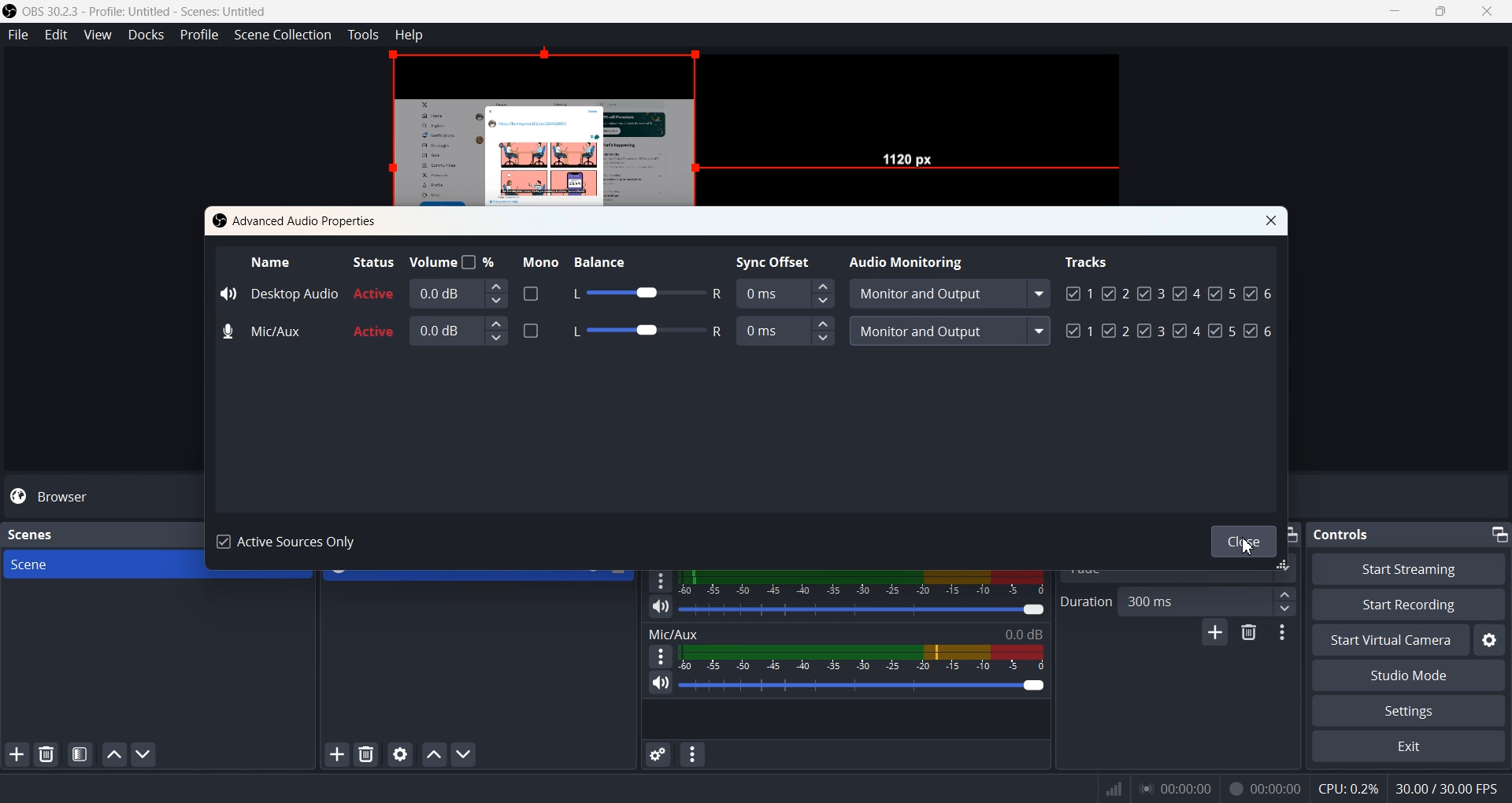 The image size is (1512, 803). Describe the element at coordinates (614, 259) in the screenshot. I see `Balance` at that location.